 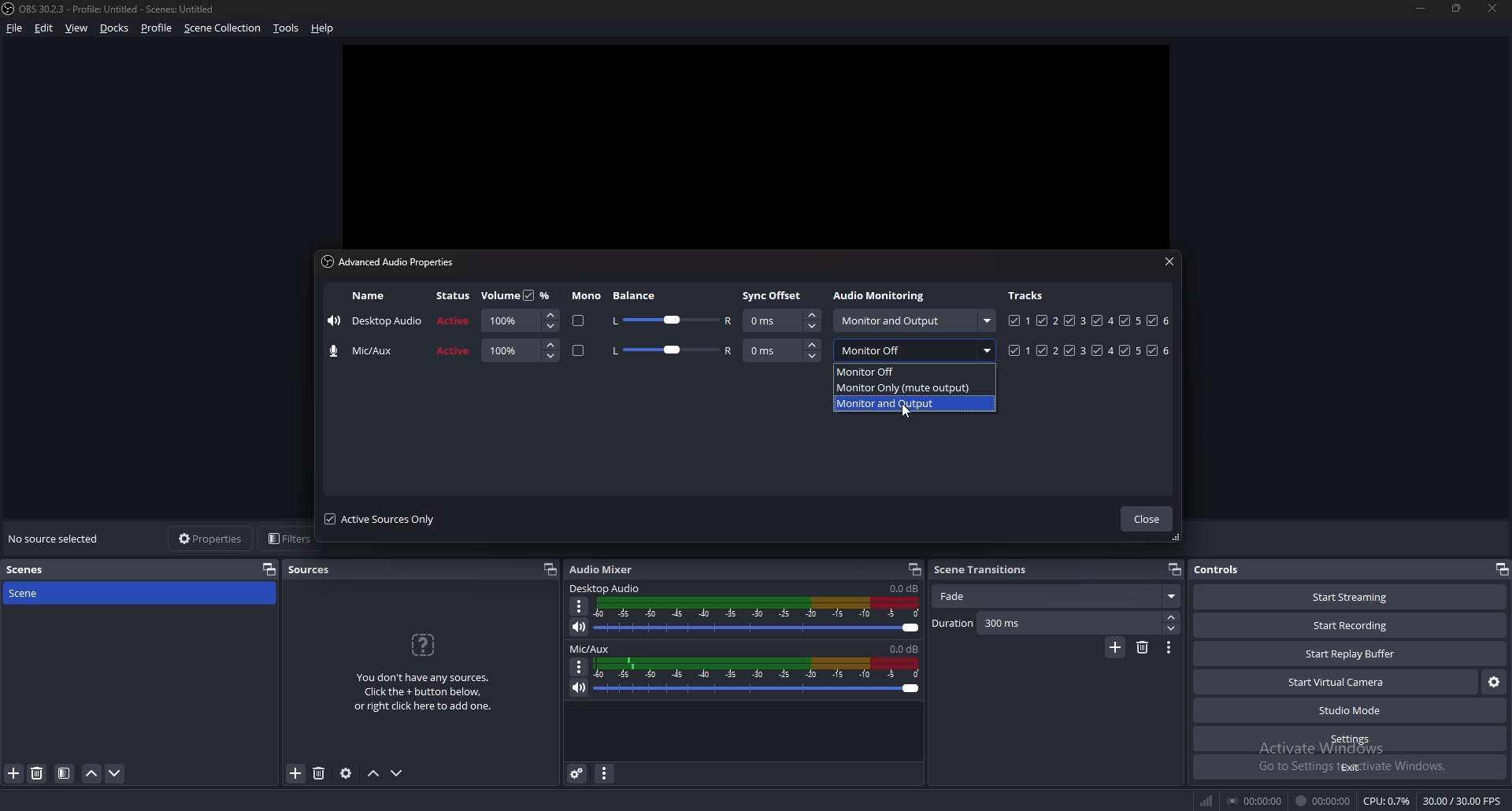 What do you see at coordinates (46, 28) in the screenshot?
I see `edit` at bounding box center [46, 28].